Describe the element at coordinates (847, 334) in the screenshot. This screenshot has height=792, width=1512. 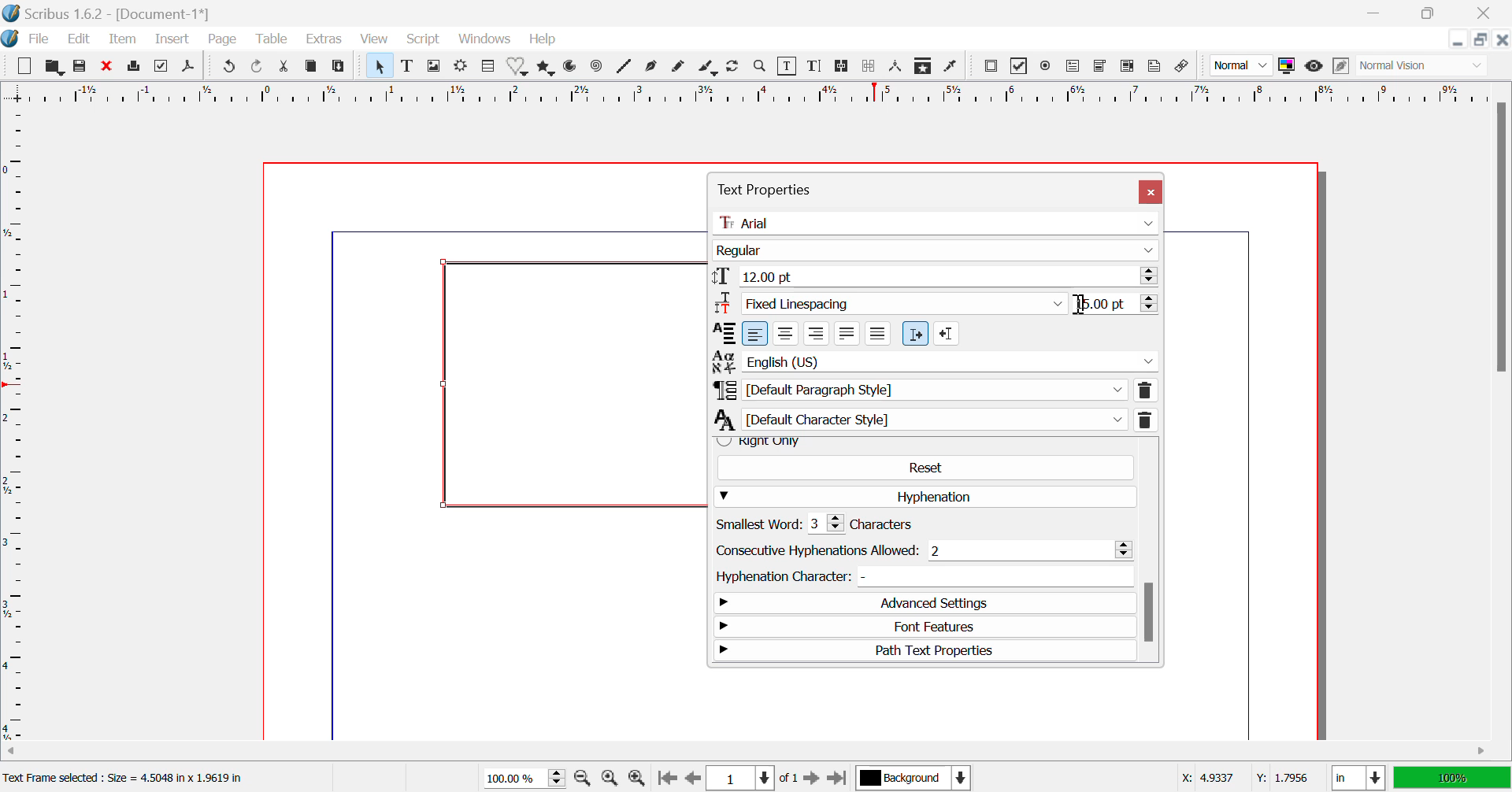
I see `Text justified` at that location.